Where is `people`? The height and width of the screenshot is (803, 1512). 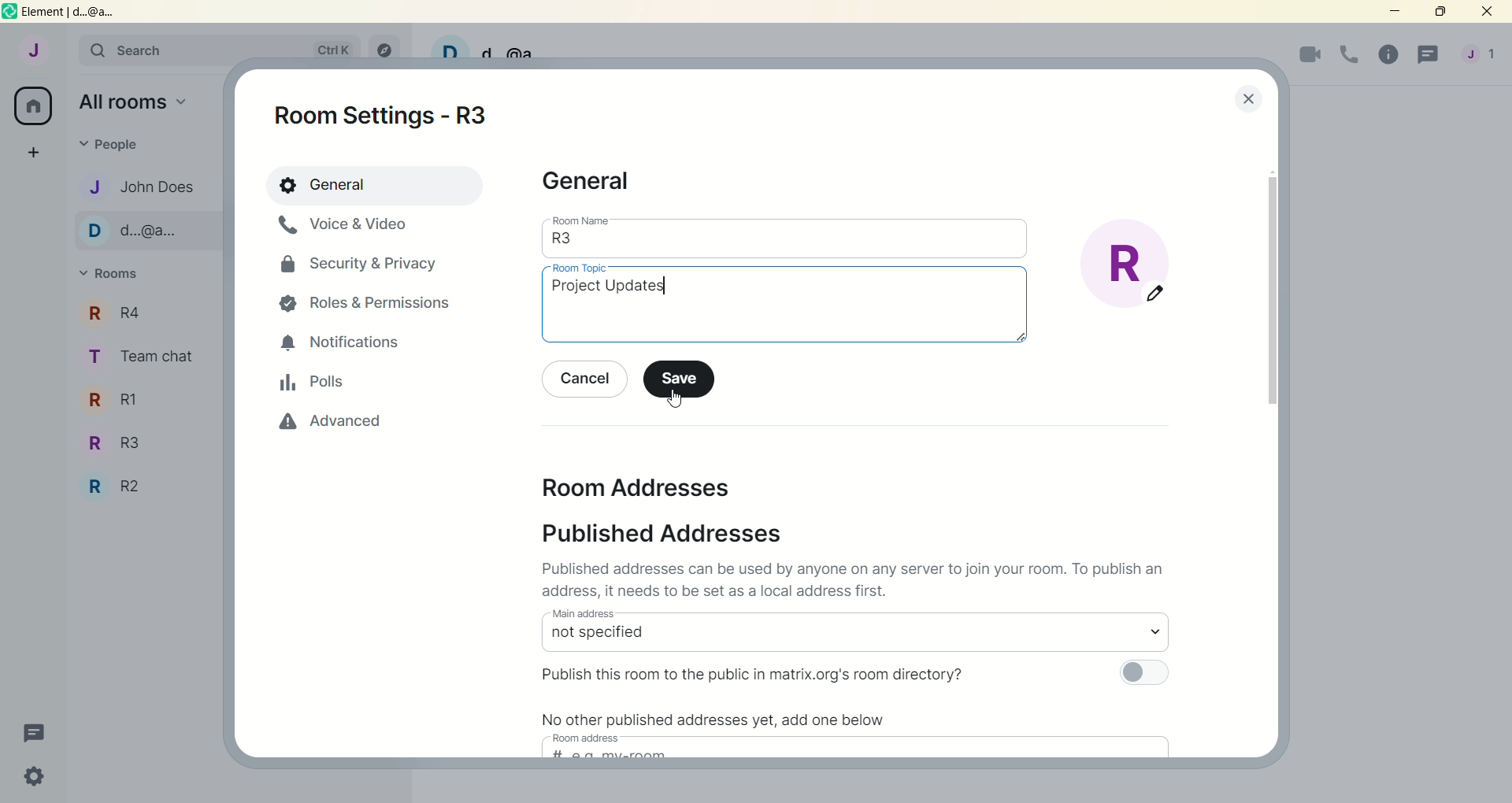
people is located at coordinates (116, 145).